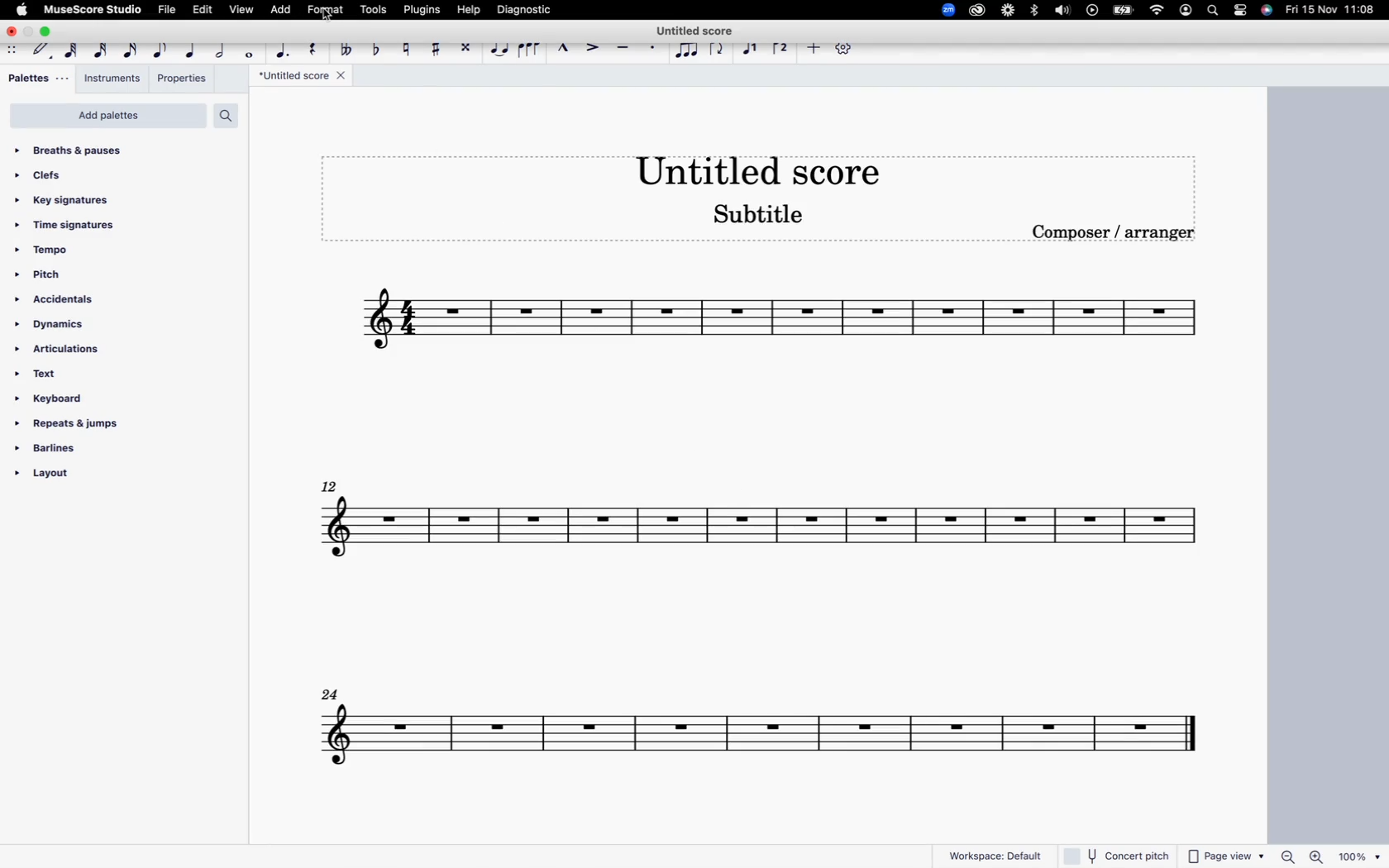  Describe the element at coordinates (241, 10) in the screenshot. I see `view` at that location.